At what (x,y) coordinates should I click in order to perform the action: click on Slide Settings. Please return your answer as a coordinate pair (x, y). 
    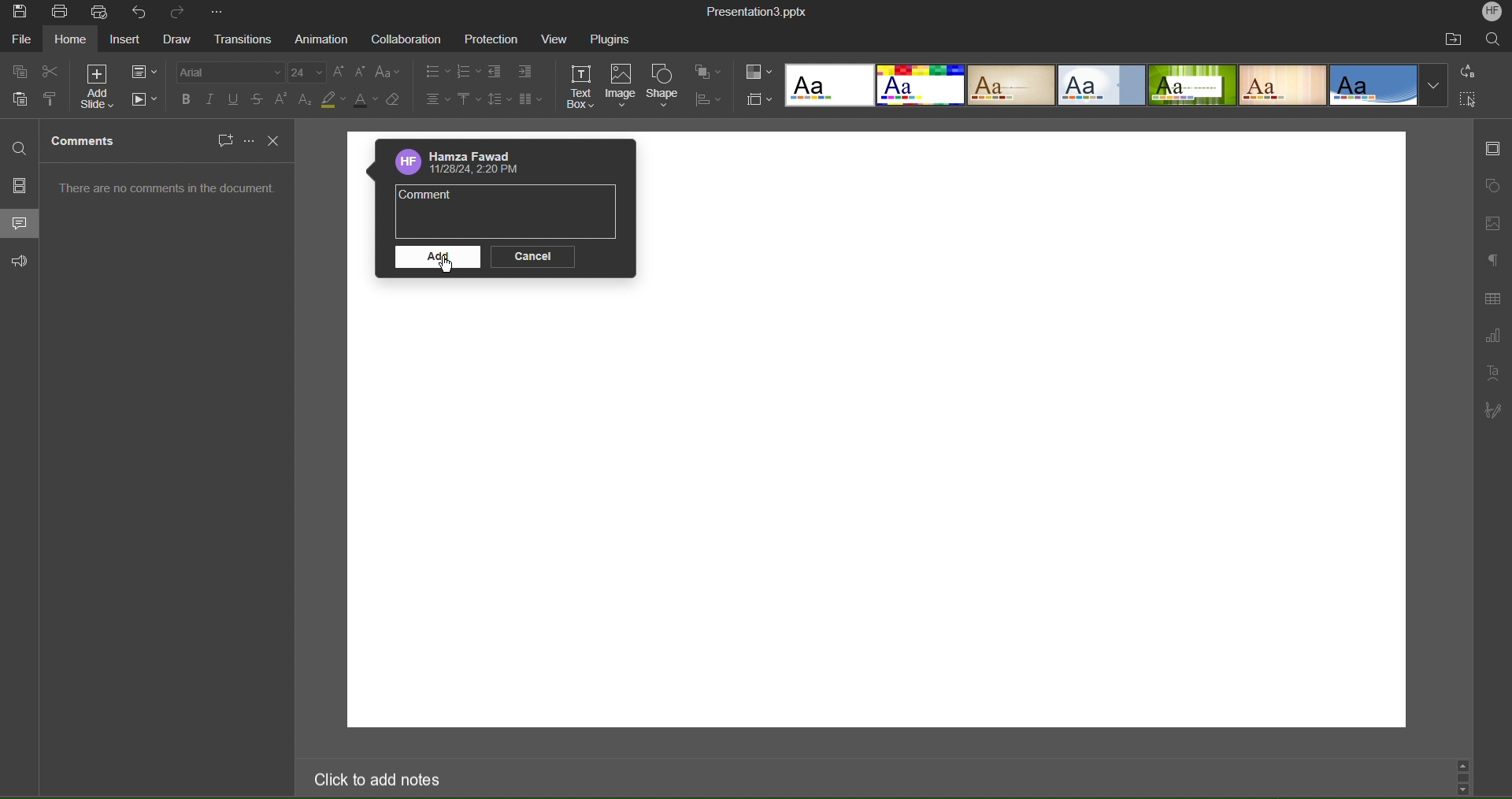
    Looking at the image, I should click on (144, 72).